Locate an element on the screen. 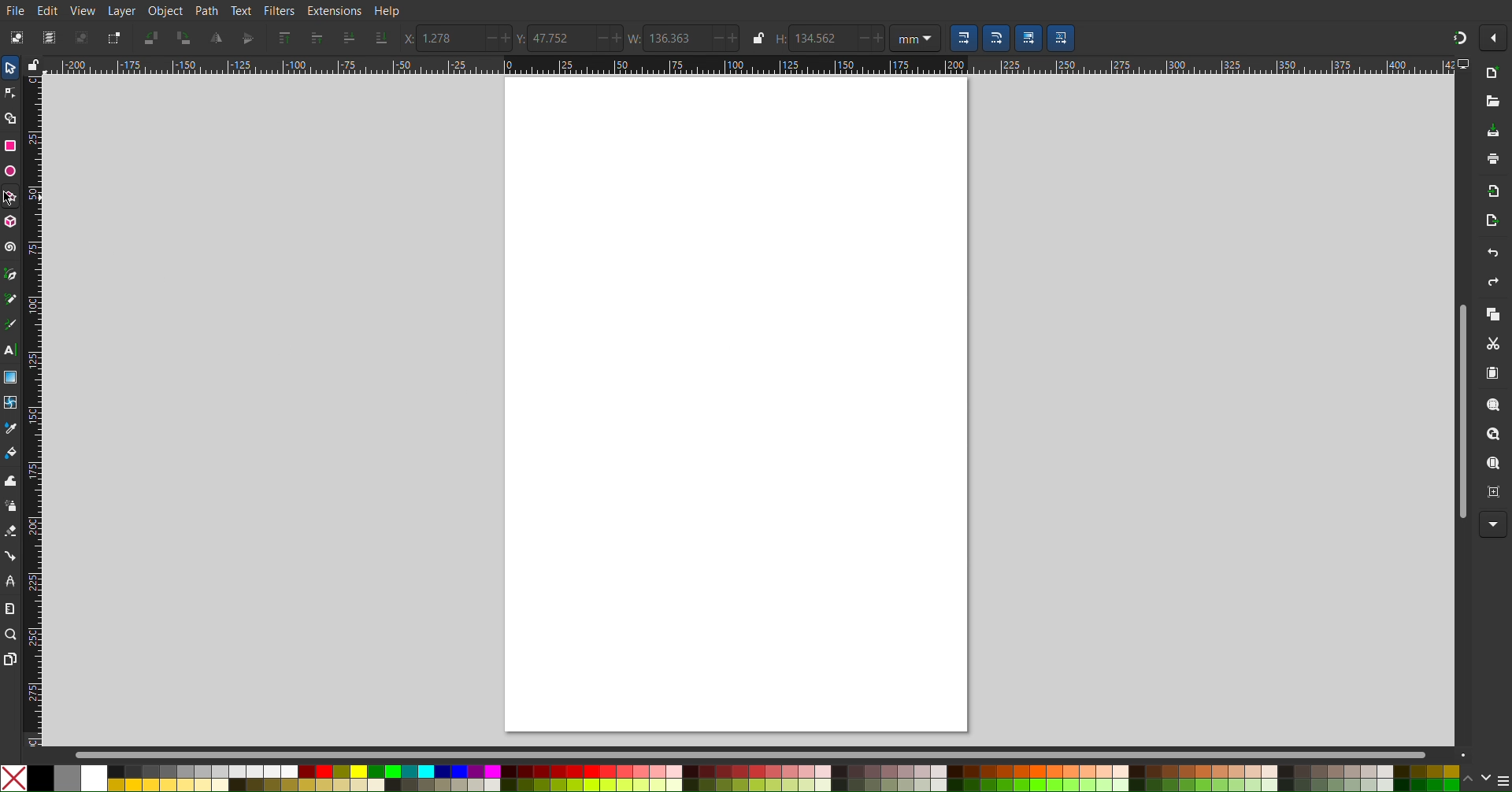  Paste is located at coordinates (1494, 373).